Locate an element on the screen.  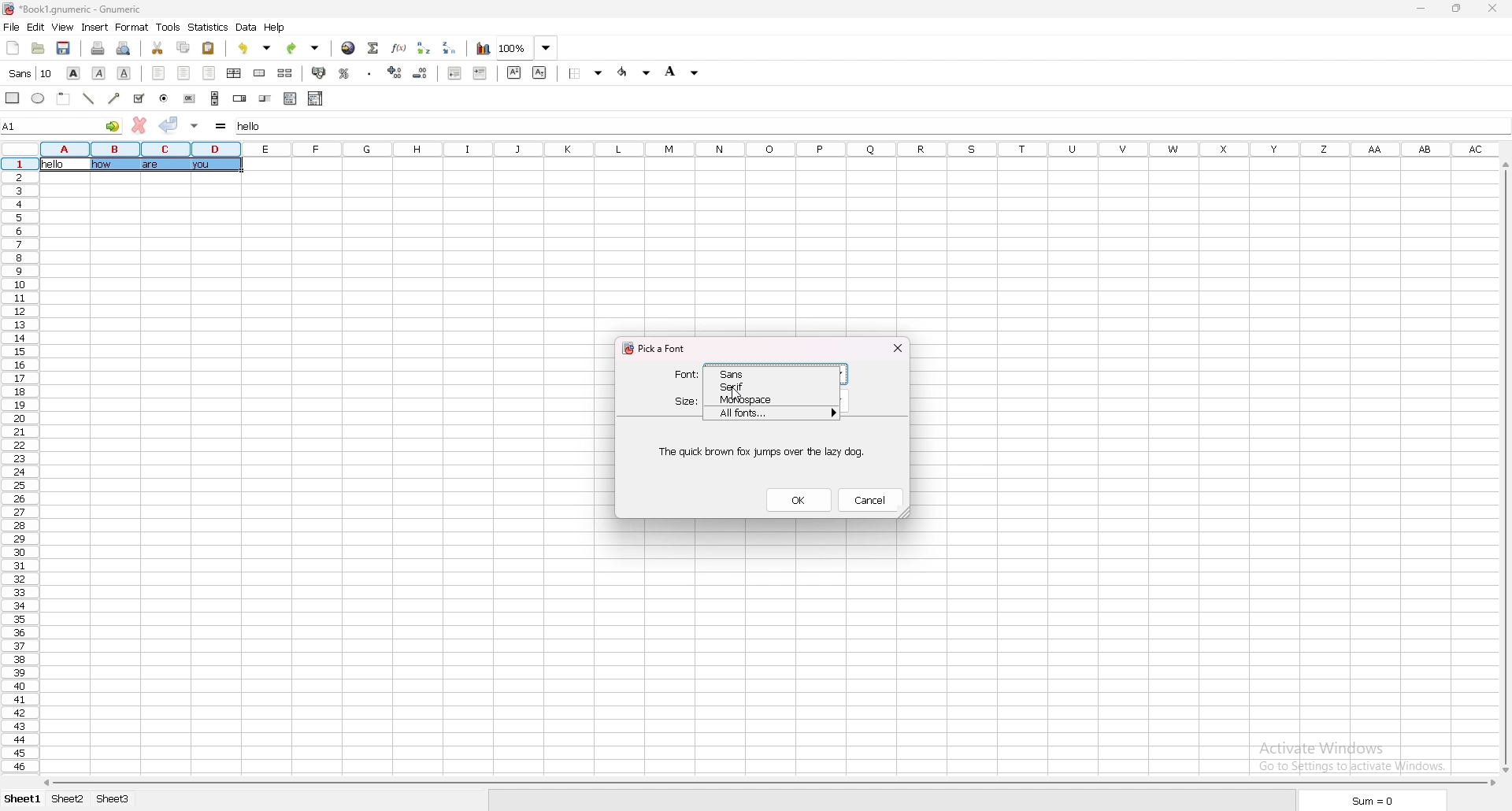
help is located at coordinates (276, 28).